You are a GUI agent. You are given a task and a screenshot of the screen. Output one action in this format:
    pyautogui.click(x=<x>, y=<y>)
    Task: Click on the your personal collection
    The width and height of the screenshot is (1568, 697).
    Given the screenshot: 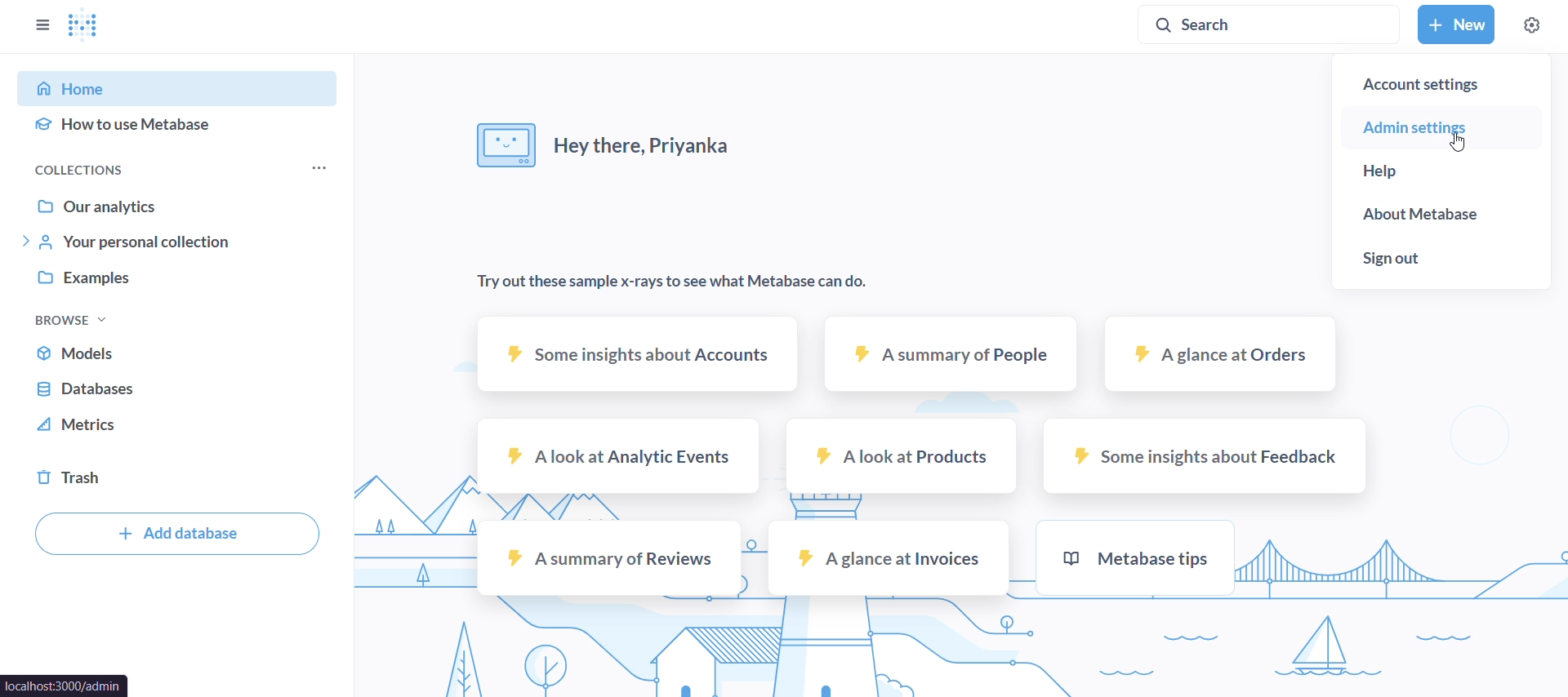 What is the action you would take?
    pyautogui.click(x=183, y=241)
    